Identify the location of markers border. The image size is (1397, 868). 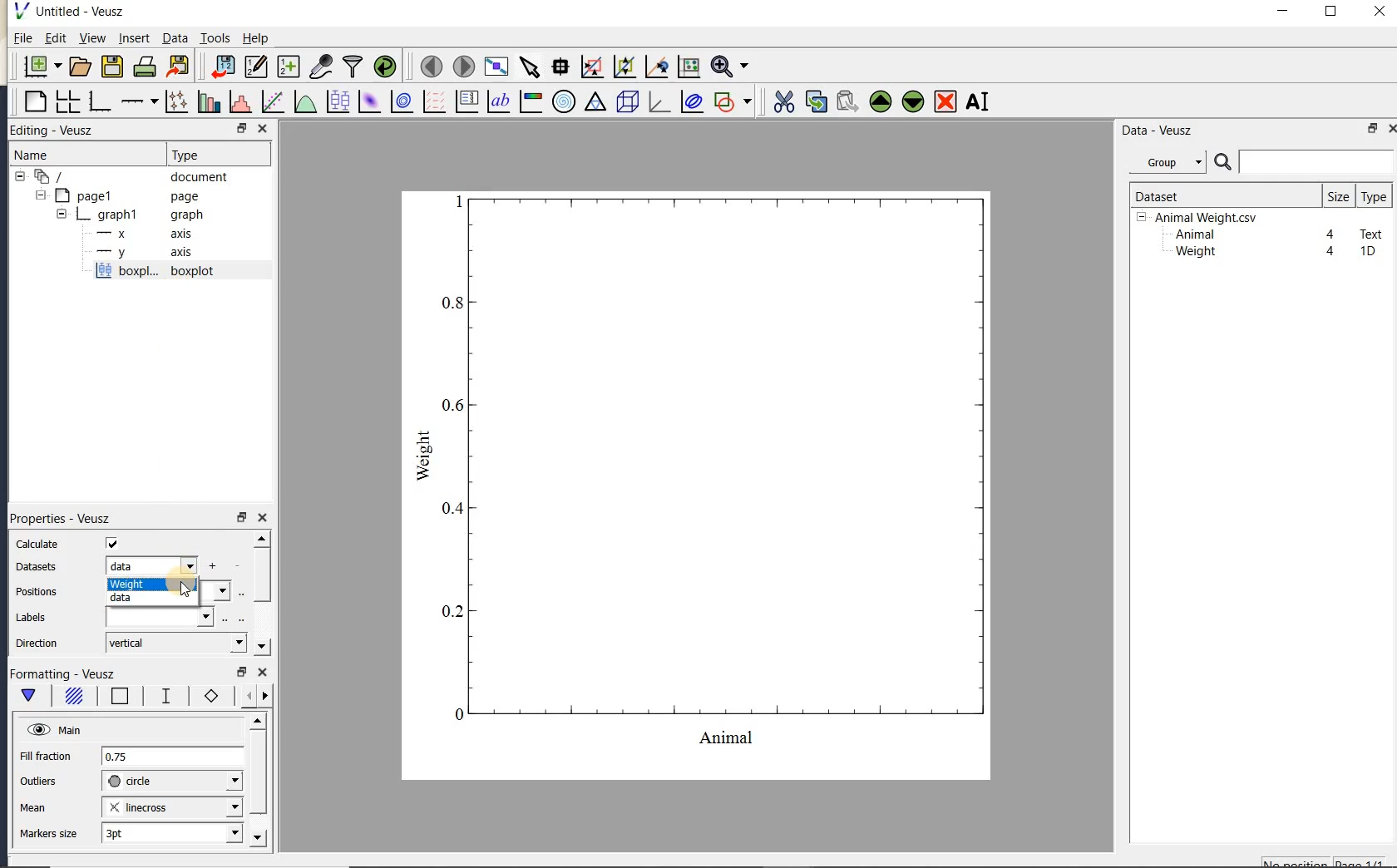
(208, 696).